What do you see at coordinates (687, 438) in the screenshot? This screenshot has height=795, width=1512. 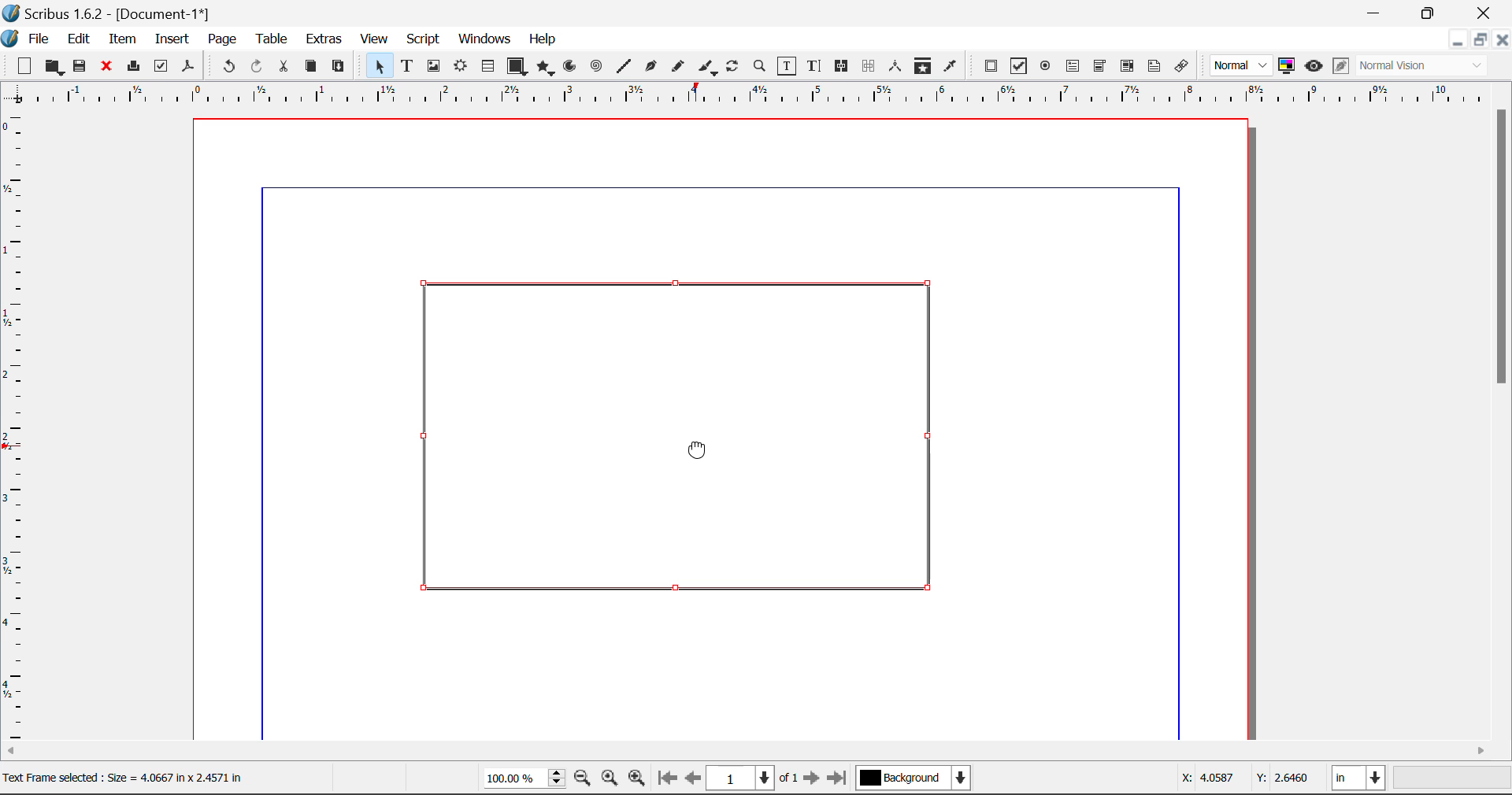 I see `Generated Text Frame` at bounding box center [687, 438].